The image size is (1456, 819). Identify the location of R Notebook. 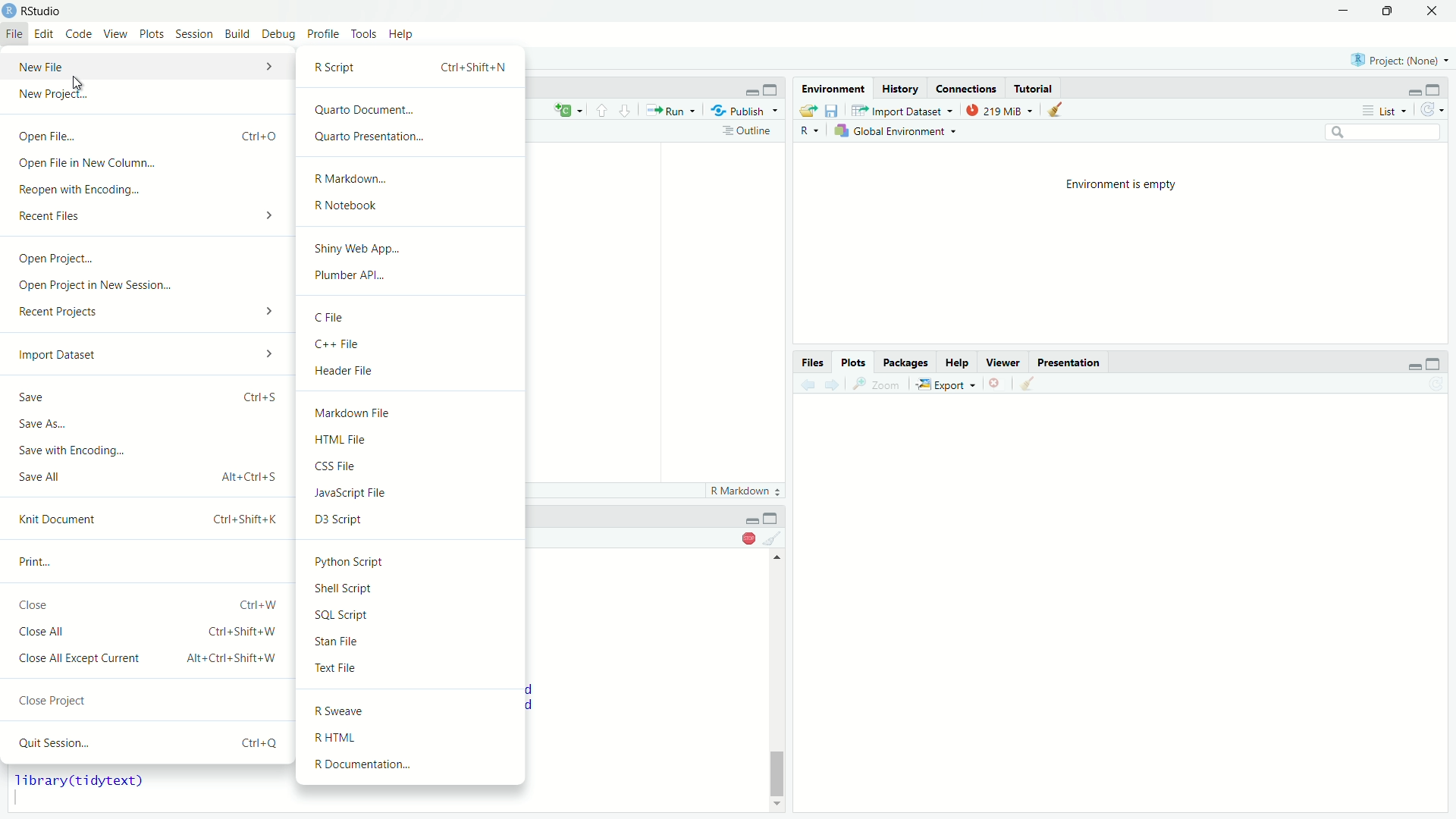
(412, 204).